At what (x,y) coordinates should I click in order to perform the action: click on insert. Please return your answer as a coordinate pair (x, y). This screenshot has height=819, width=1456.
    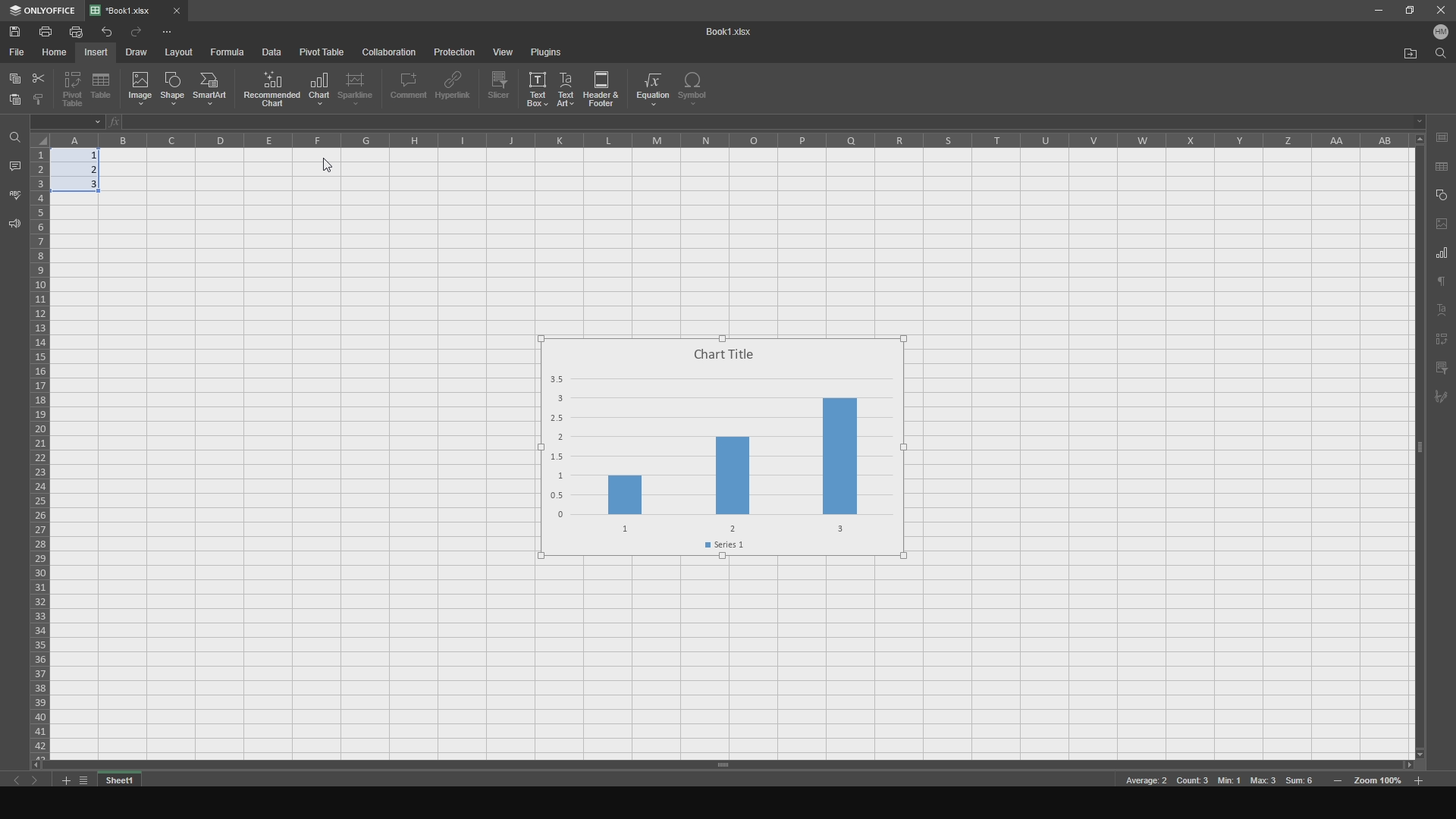
    Looking at the image, I should click on (96, 50).